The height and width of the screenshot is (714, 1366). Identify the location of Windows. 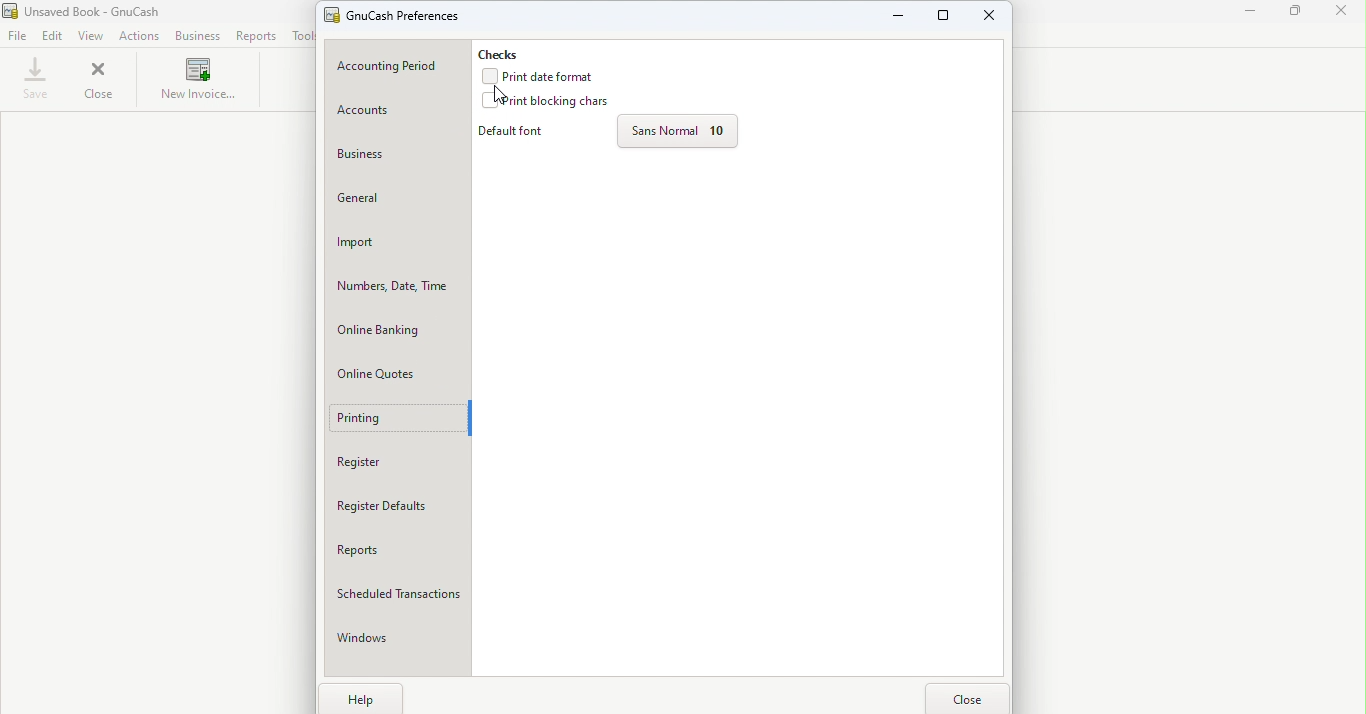
(396, 641).